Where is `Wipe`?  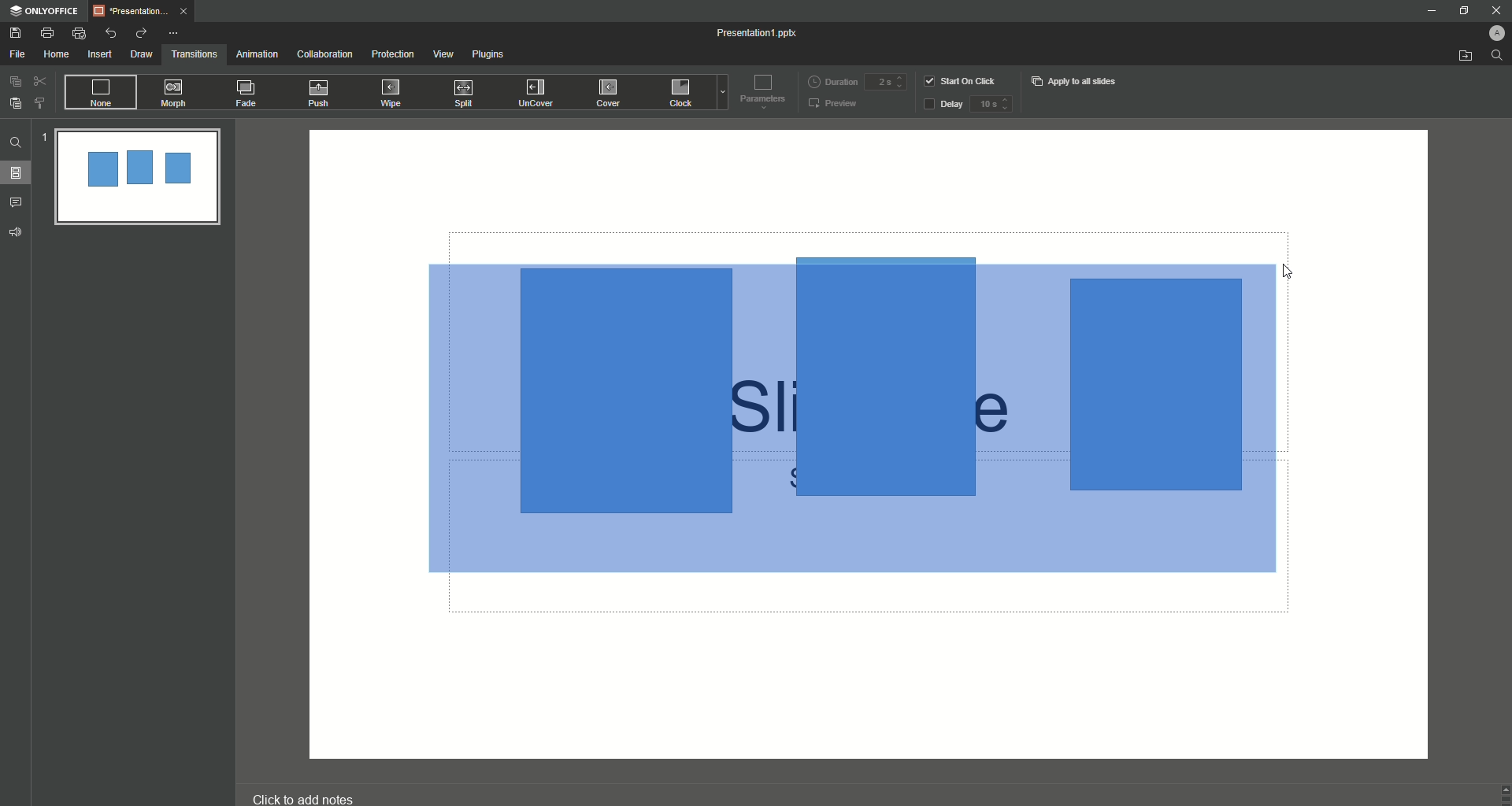 Wipe is located at coordinates (391, 92).